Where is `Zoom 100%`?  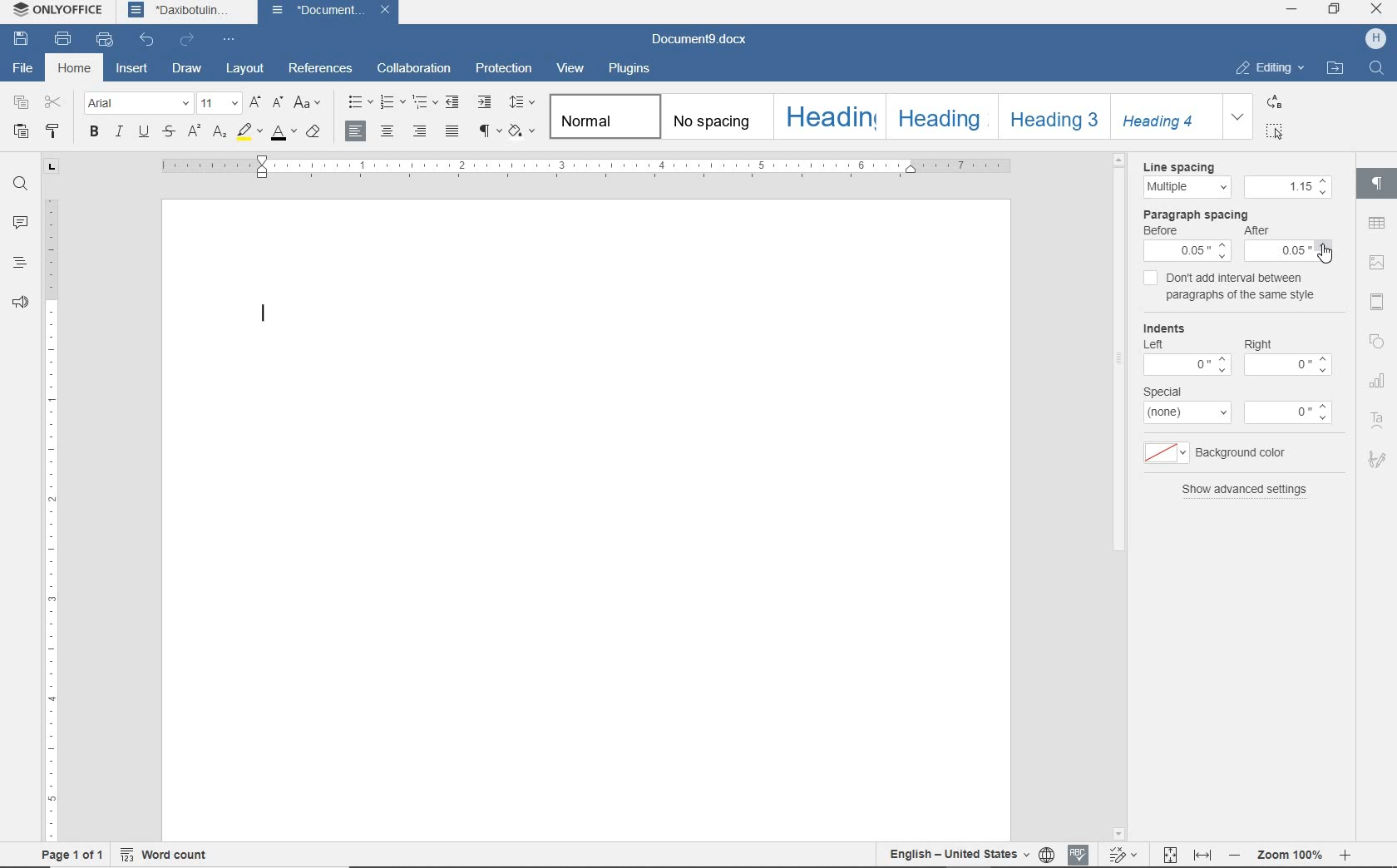 Zoom 100% is located at coordinates (1289, 855).